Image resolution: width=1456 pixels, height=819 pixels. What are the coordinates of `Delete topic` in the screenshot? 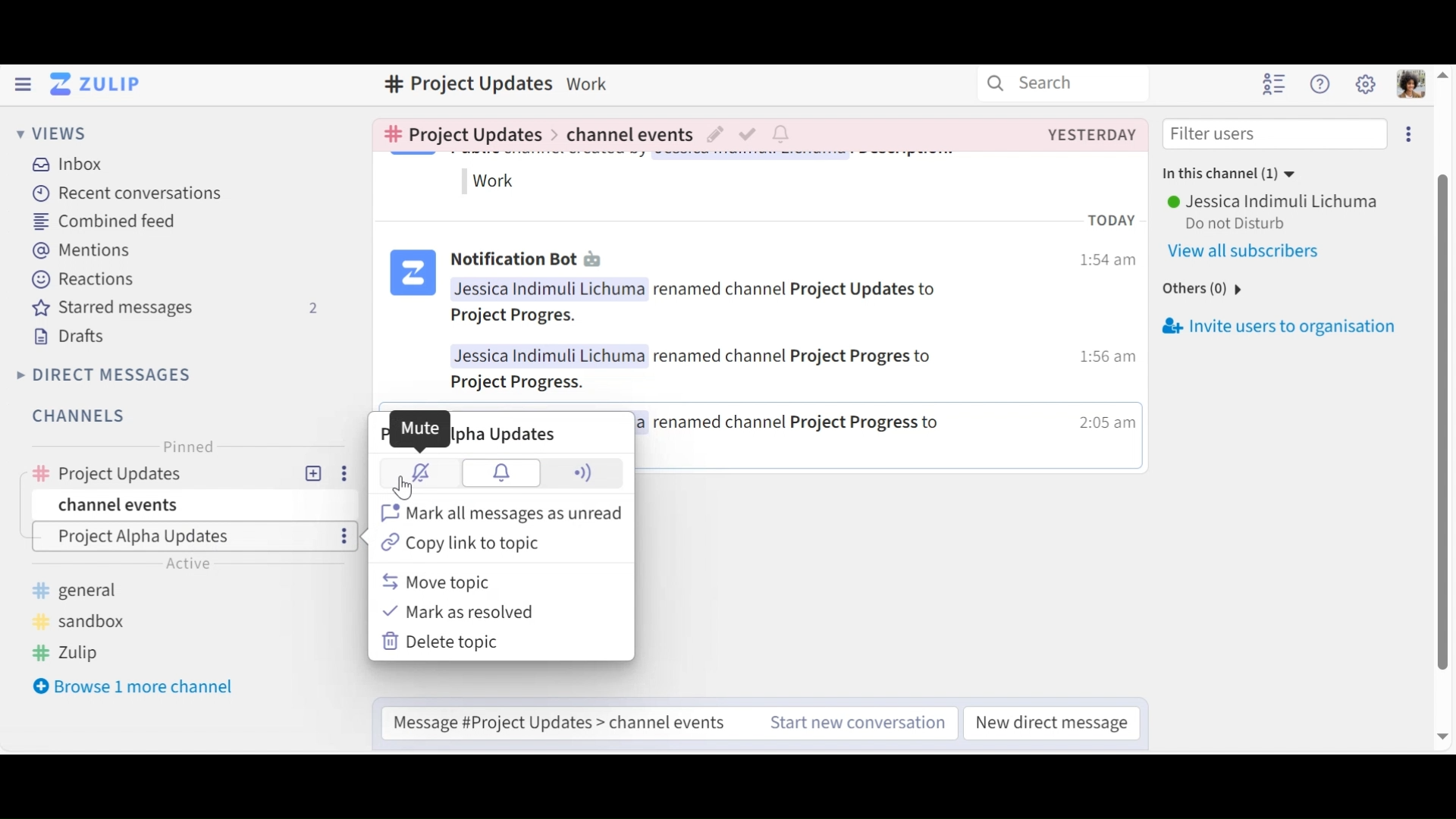 It's located at (445, 642).